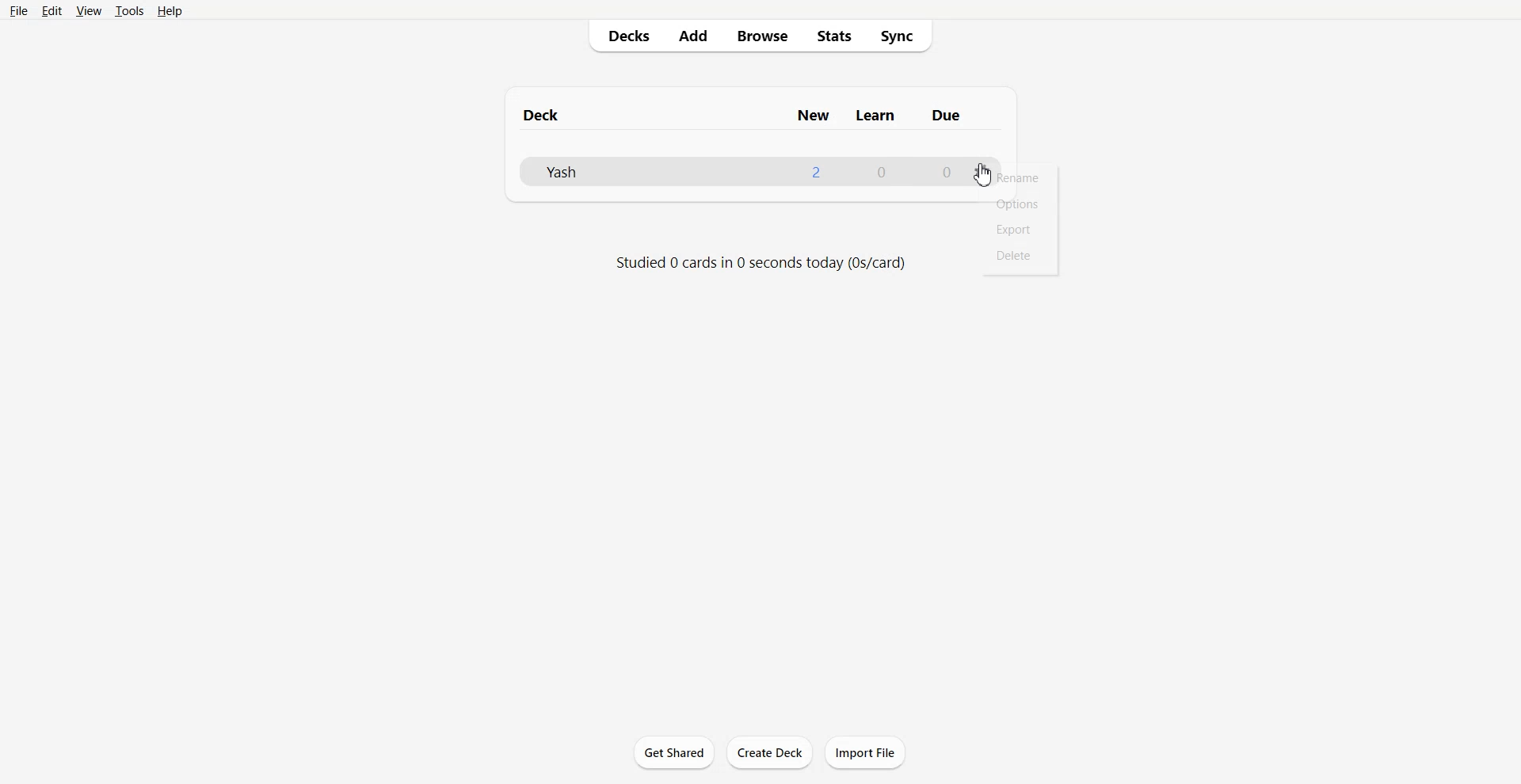 The height and width of the screenshot is (784, 1521). What do you see at coordinates (1013, 230) in the screenshot?
I see `export` at bounding box center [1013, 230].